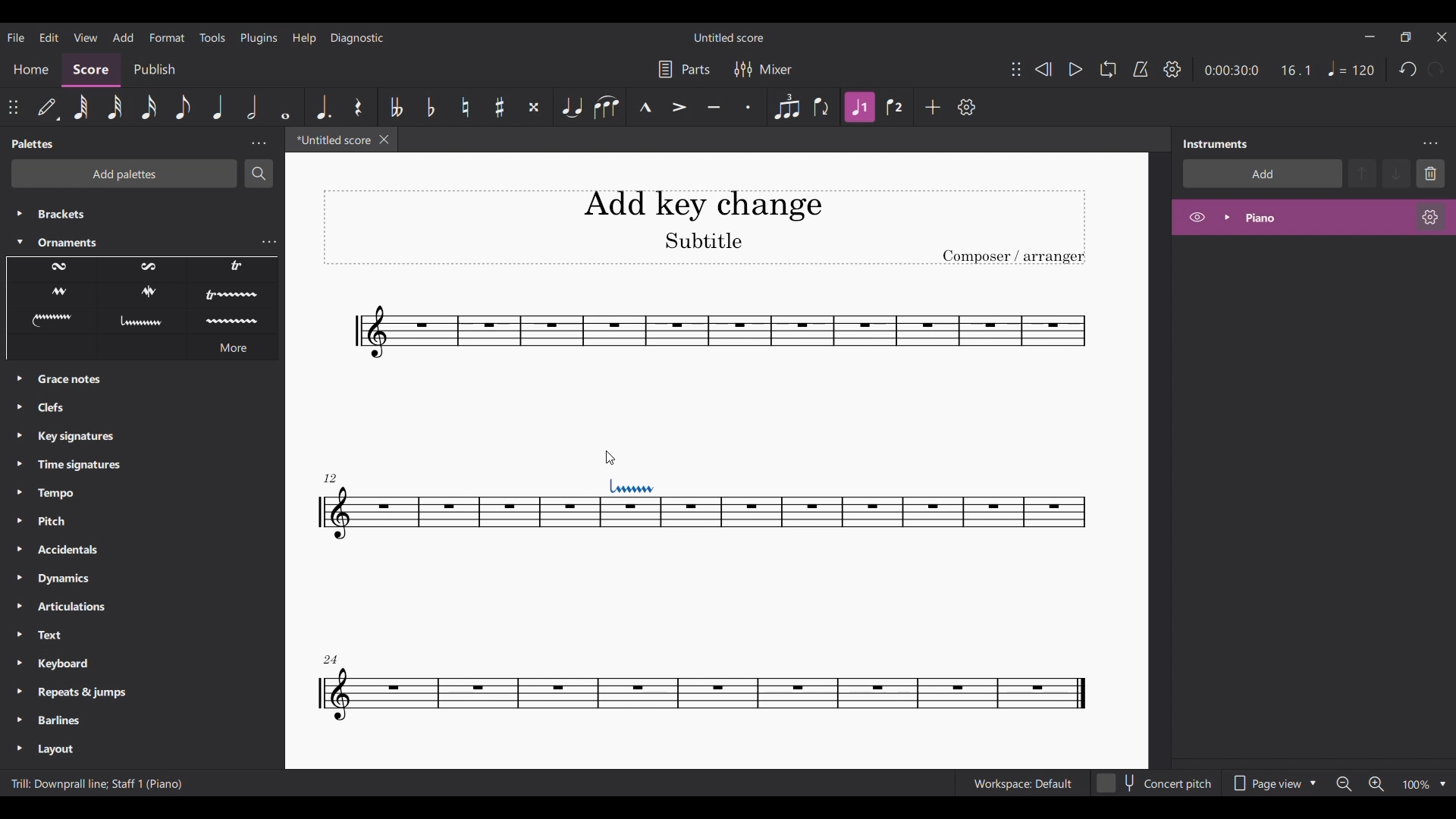  What do you see at coordinates (1376, 784) in the screenshot?
I see `Zoom in` at bounding box center [1376, 784].